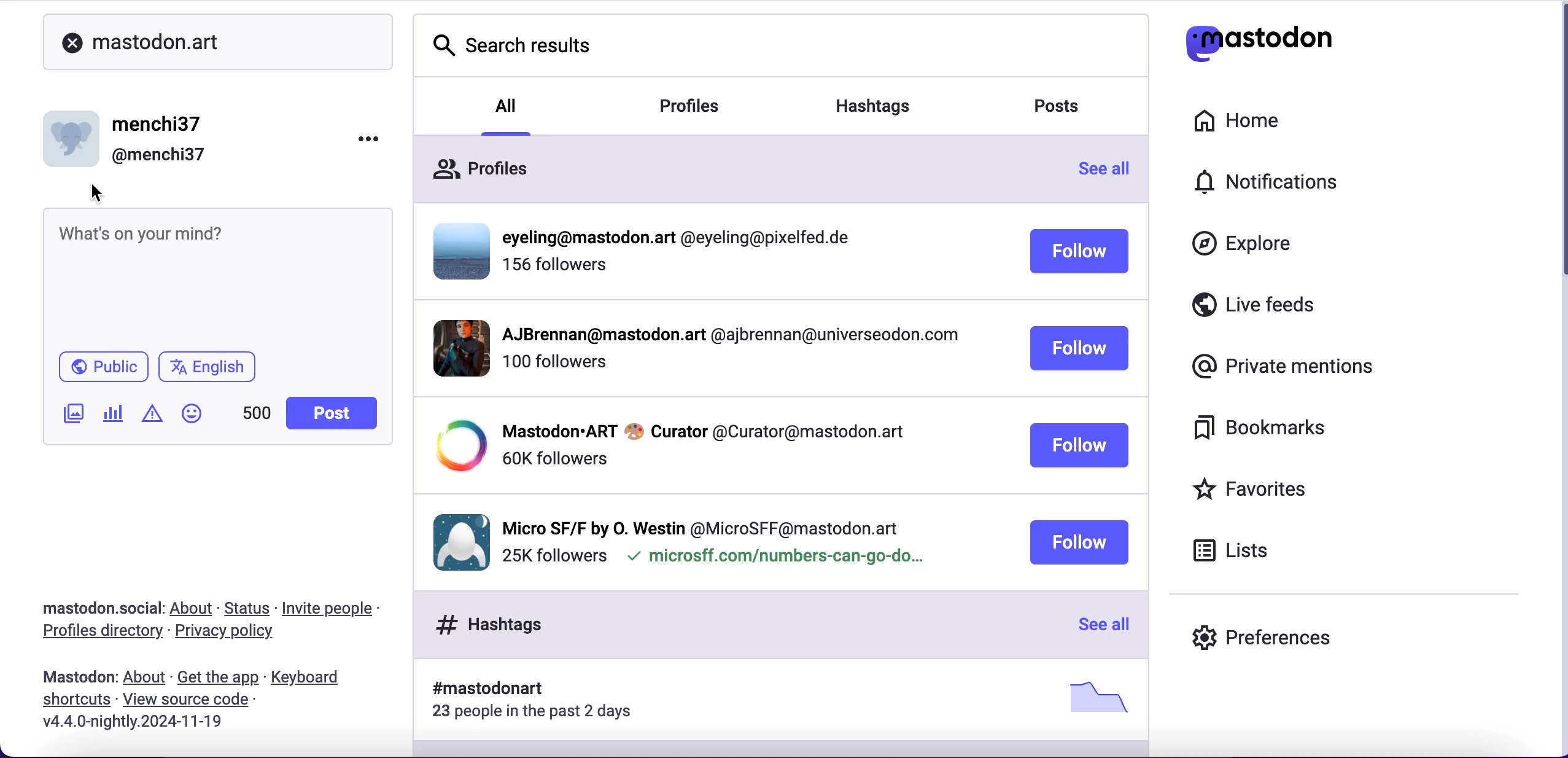 This screenshot has width=1568, height=758. Describe the element at coordinates (115, 413) in the screenshot. I see `add poll` at that location.